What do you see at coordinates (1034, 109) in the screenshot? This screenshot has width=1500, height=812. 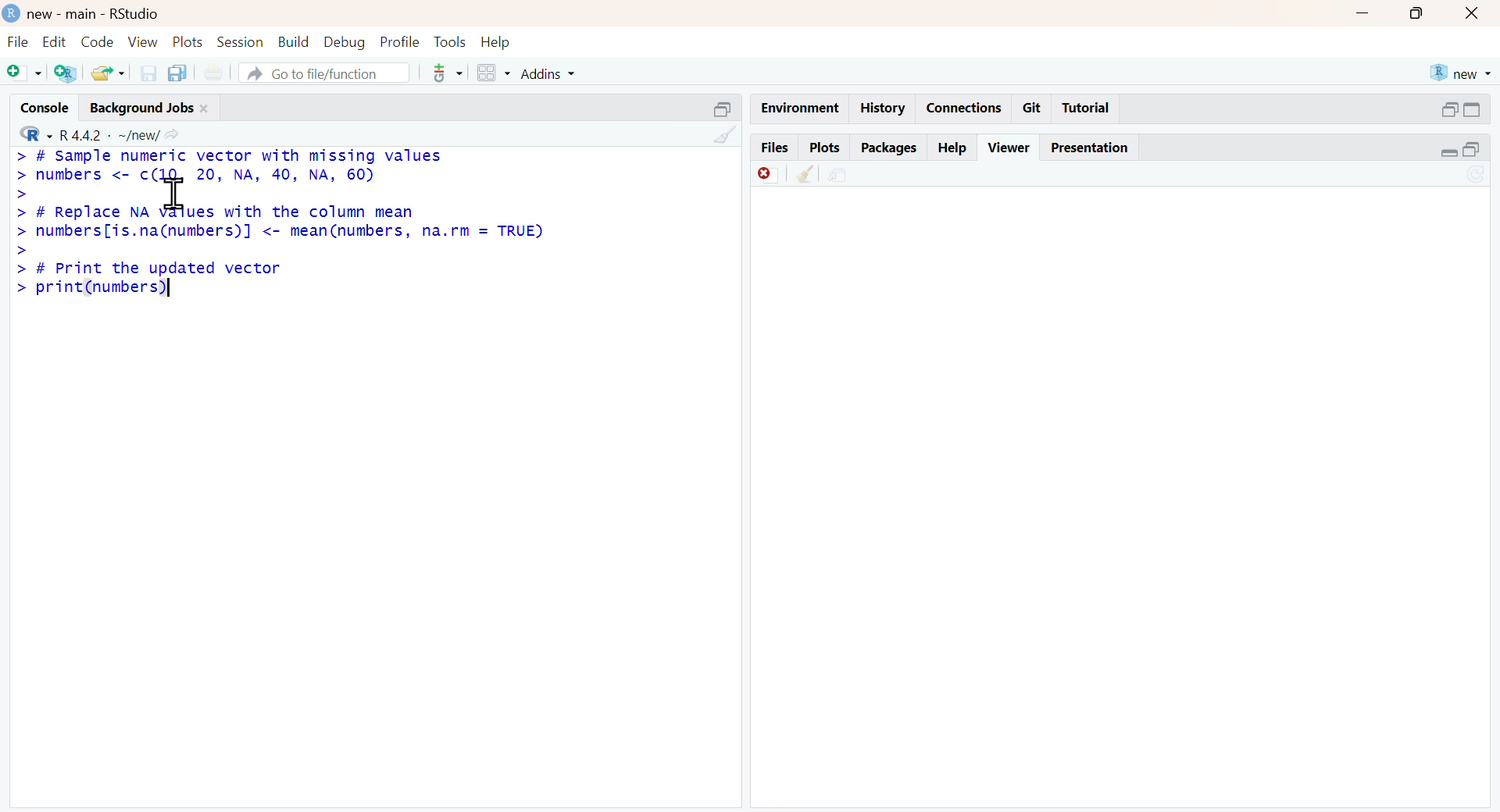 I see `git` at bounding box center [1034, 109].